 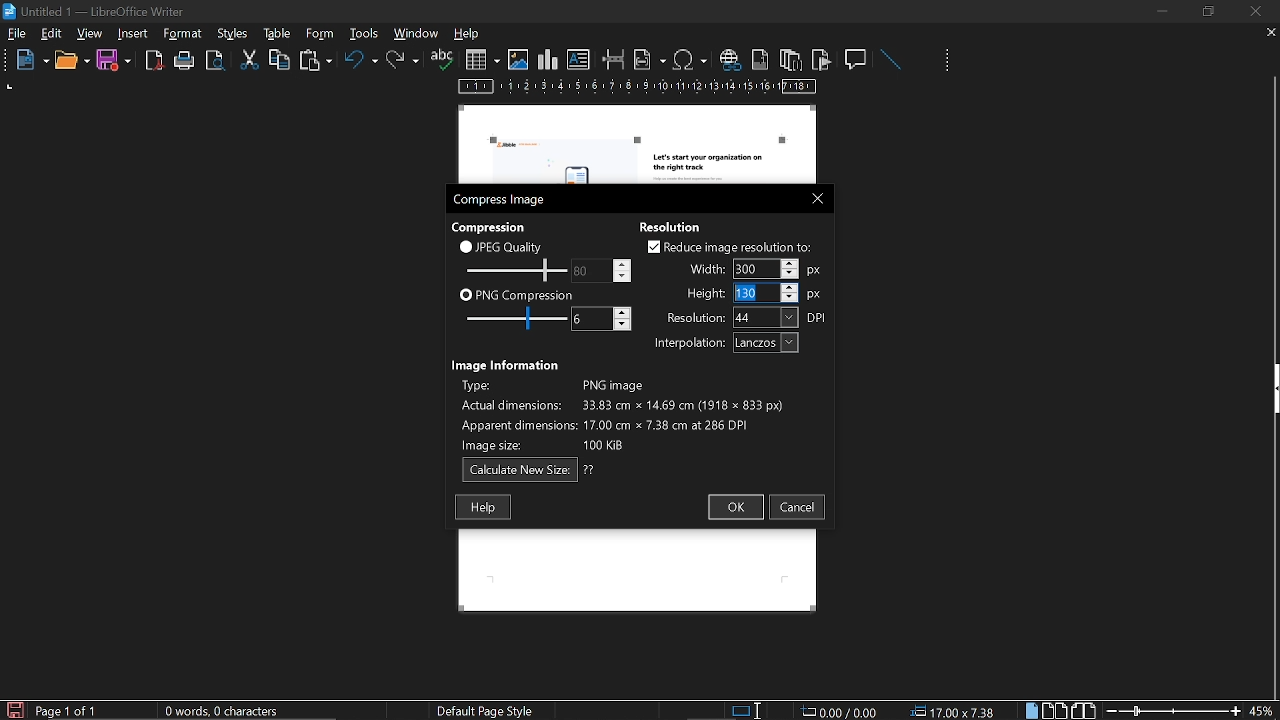 I want to click on insert table, so click(x=482, y=60).